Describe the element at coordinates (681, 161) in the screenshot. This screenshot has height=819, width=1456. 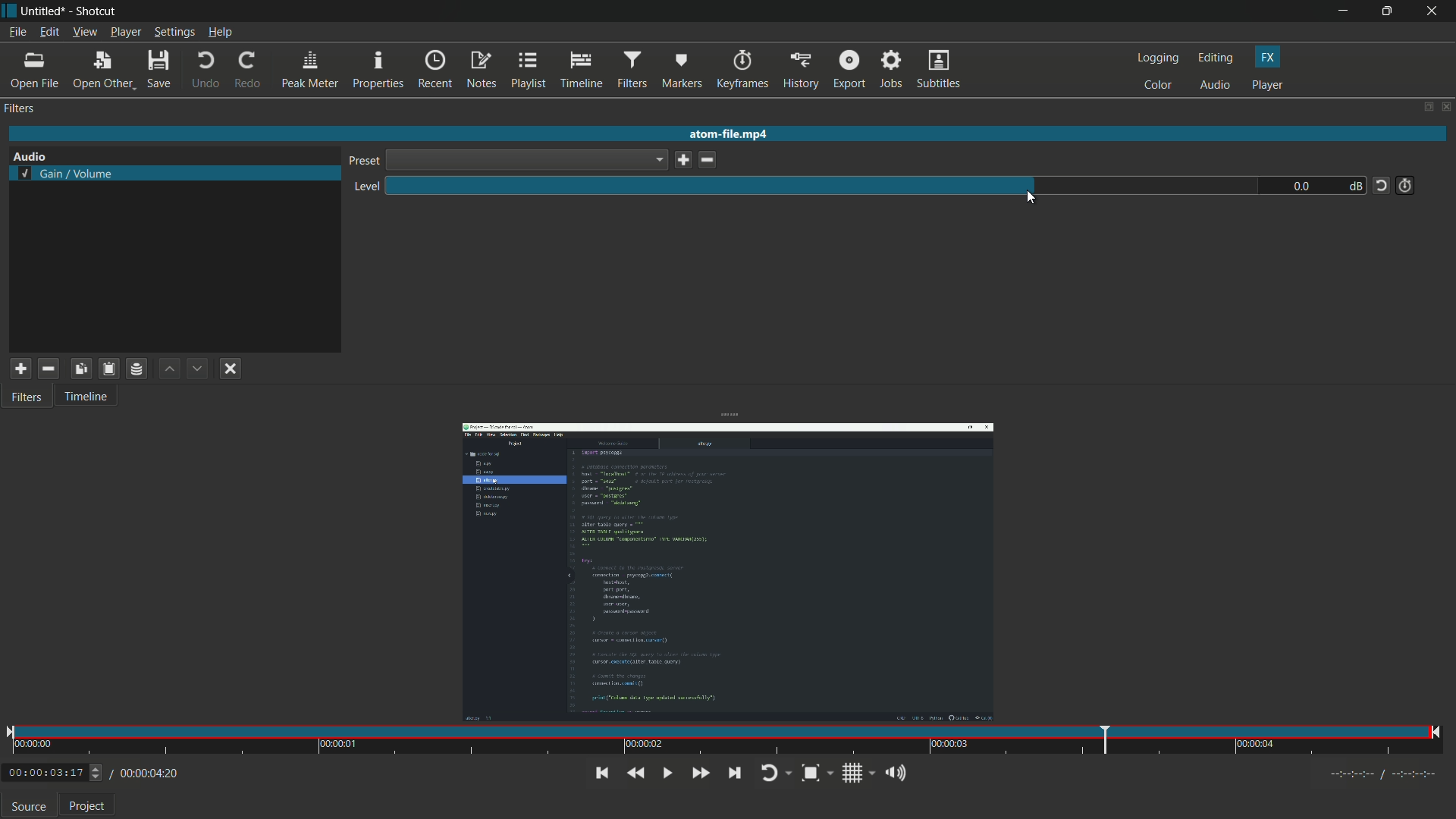
I see `save` at that location.